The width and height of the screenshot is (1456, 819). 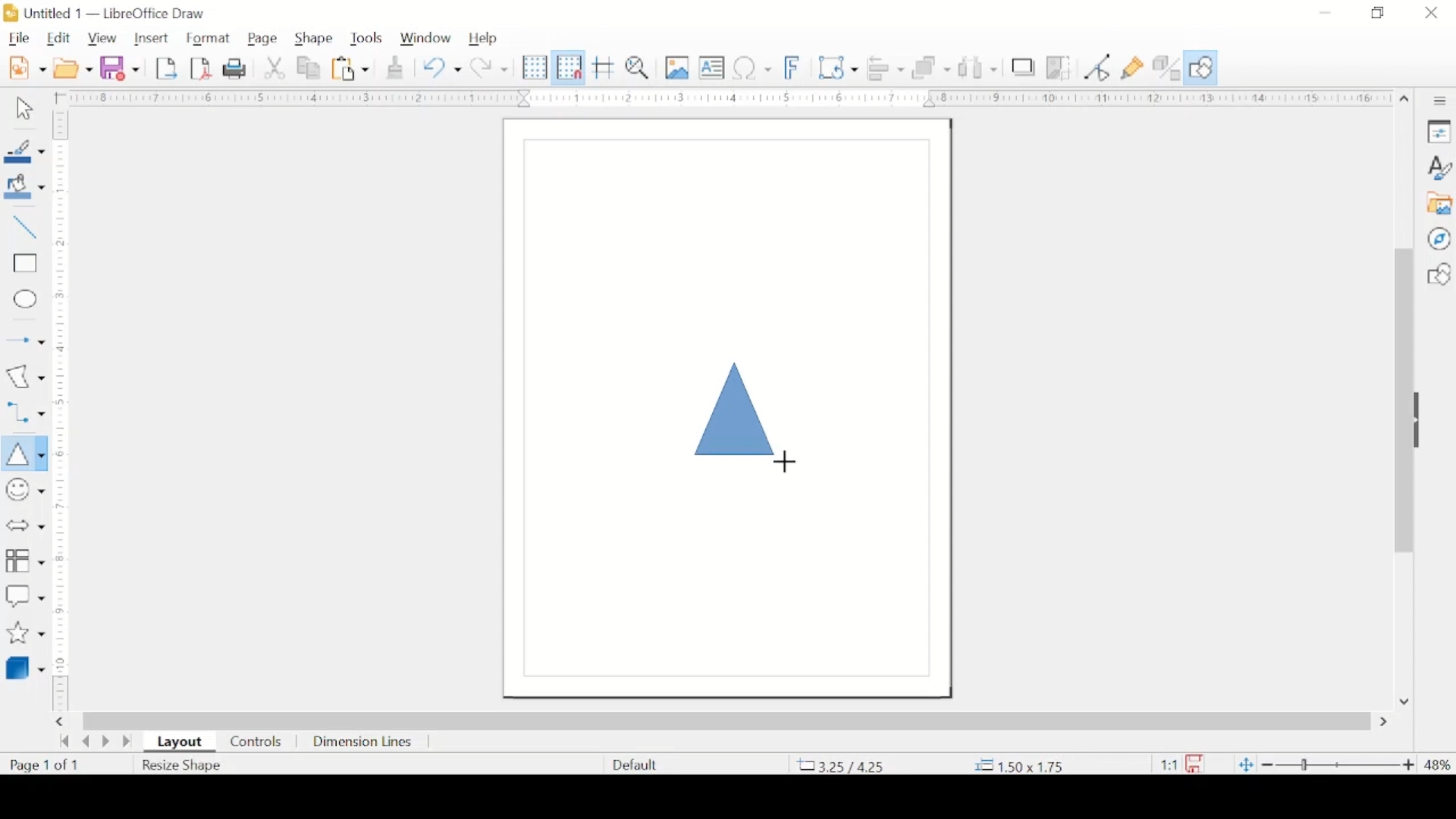 I want to click on insert rectangle, so click(x=24, y=265).